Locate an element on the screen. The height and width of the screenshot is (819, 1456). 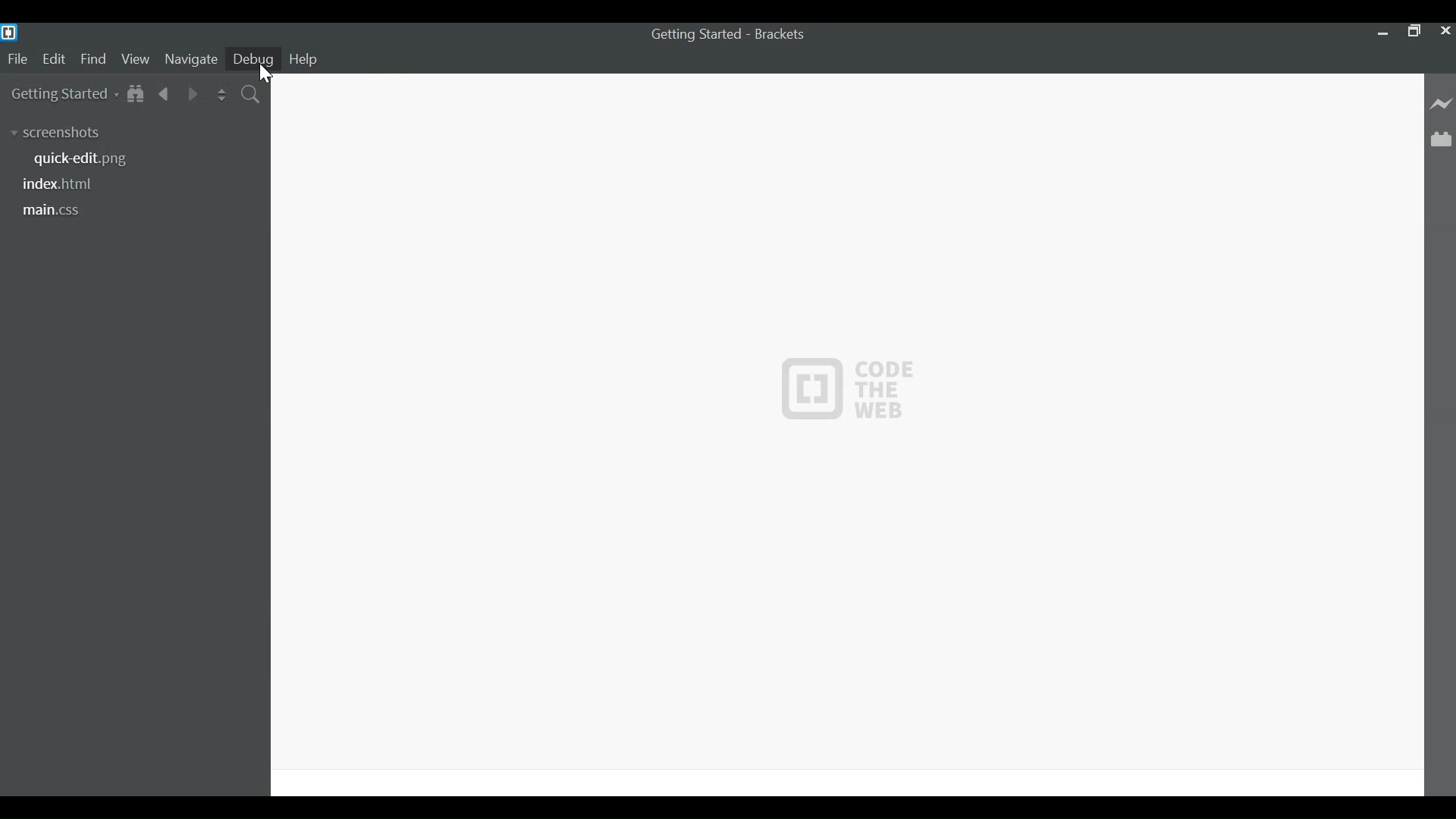
Navigate Back is located at coordinates (165, 94).